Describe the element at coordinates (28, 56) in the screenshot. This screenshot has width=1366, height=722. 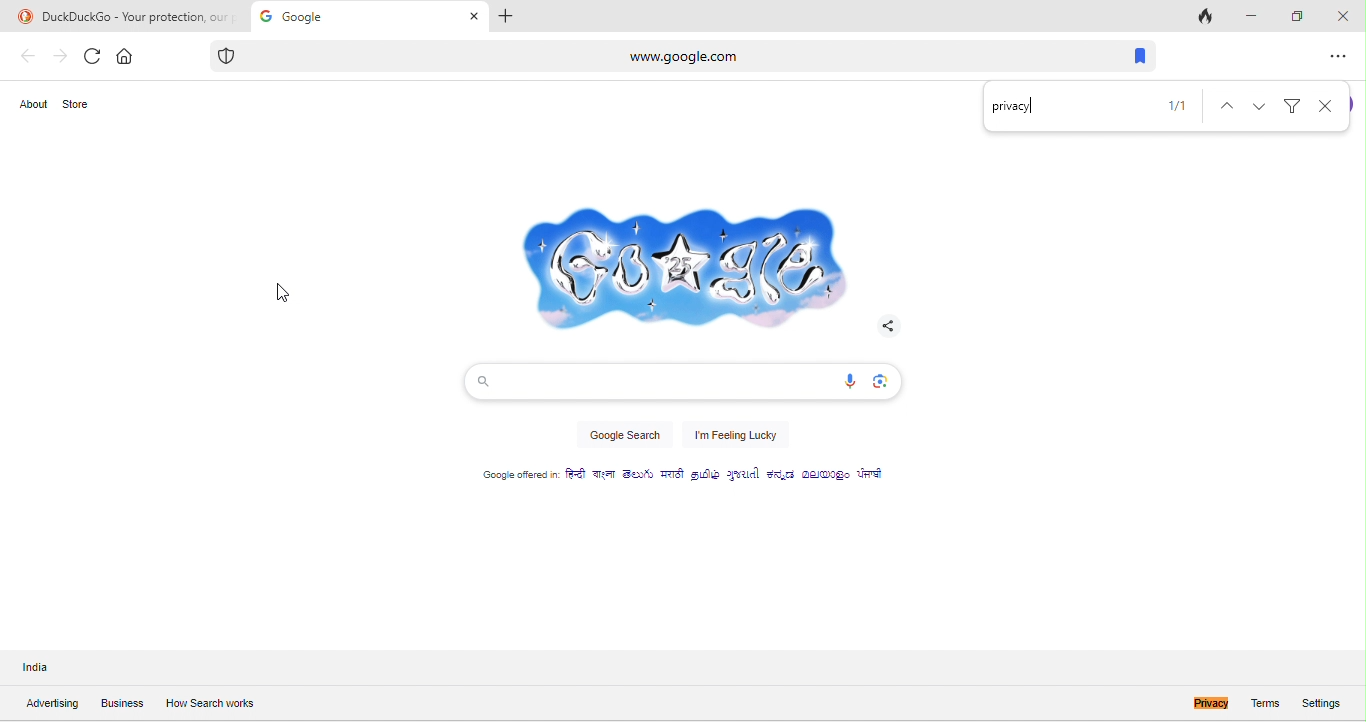
I see `back` at that location.